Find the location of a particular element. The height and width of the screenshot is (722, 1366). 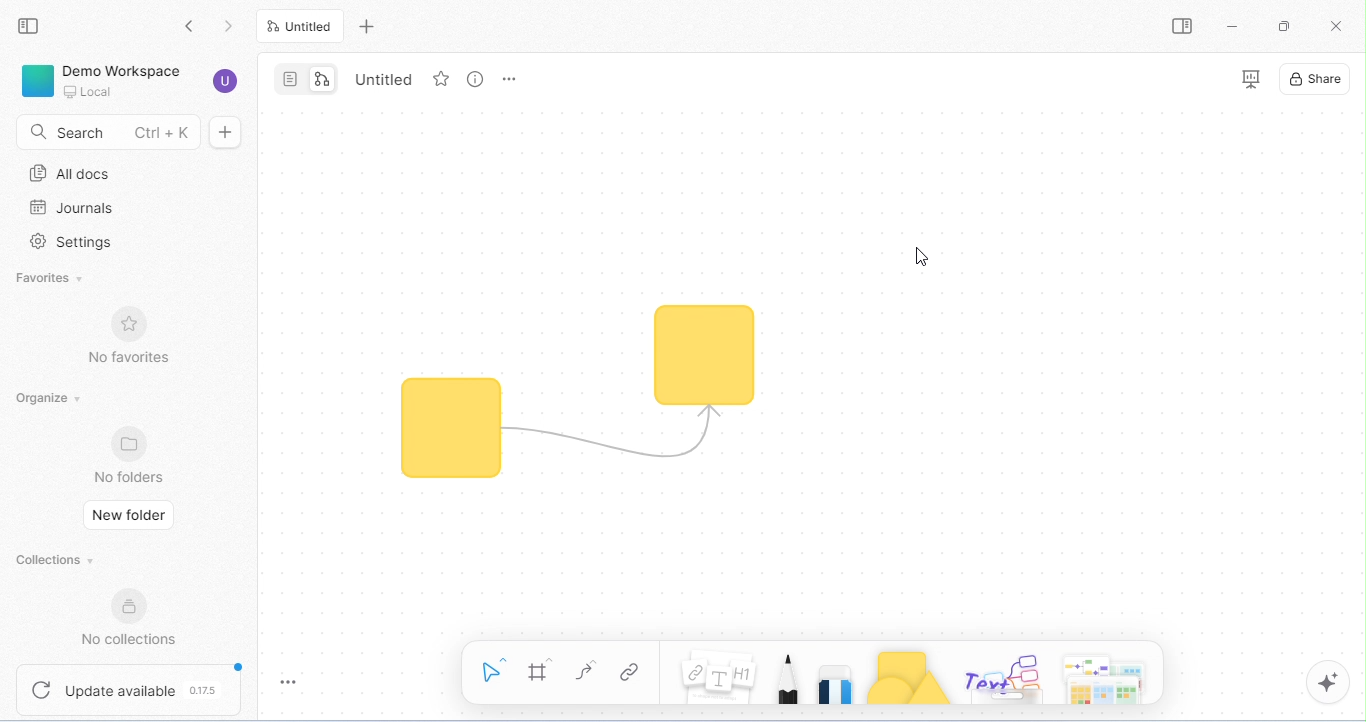

shape is located at coordinates (448, 428).